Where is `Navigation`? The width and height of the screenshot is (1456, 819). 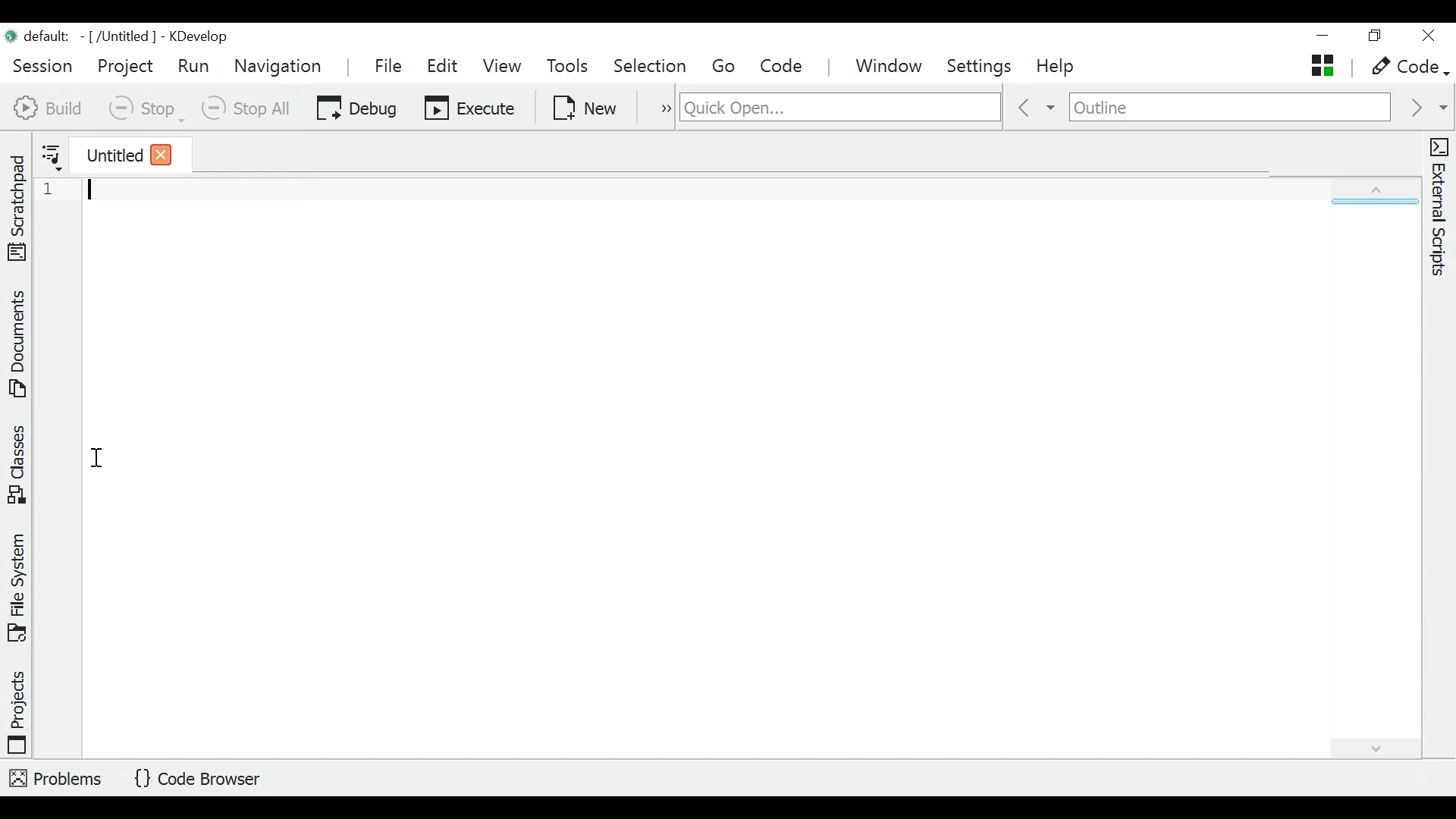
Navigation is located at coordinates (279, 67).